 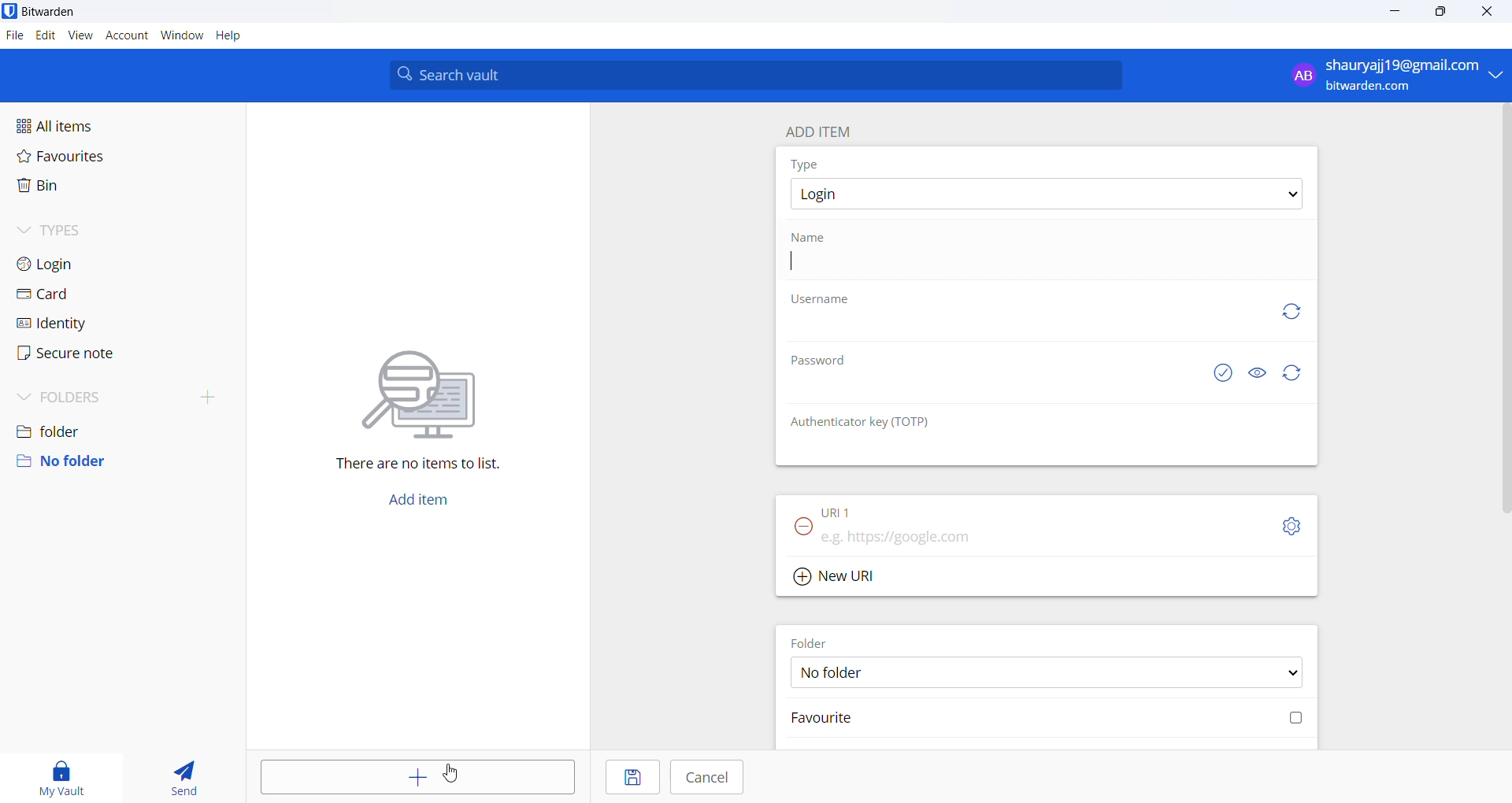 I want to click on file, so click(x=13, y=37).